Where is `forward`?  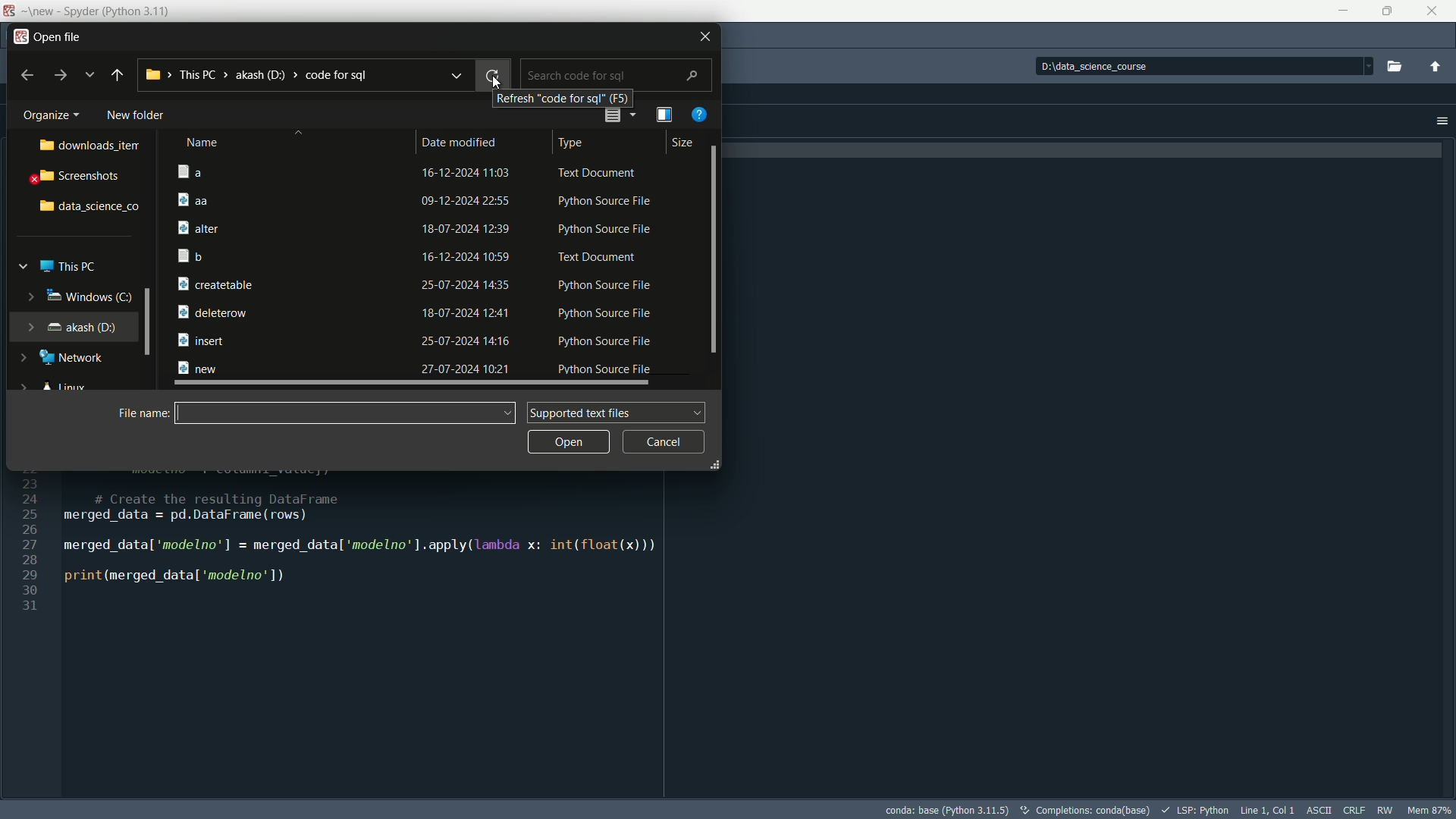 forward is located at coordinates (61, 75).